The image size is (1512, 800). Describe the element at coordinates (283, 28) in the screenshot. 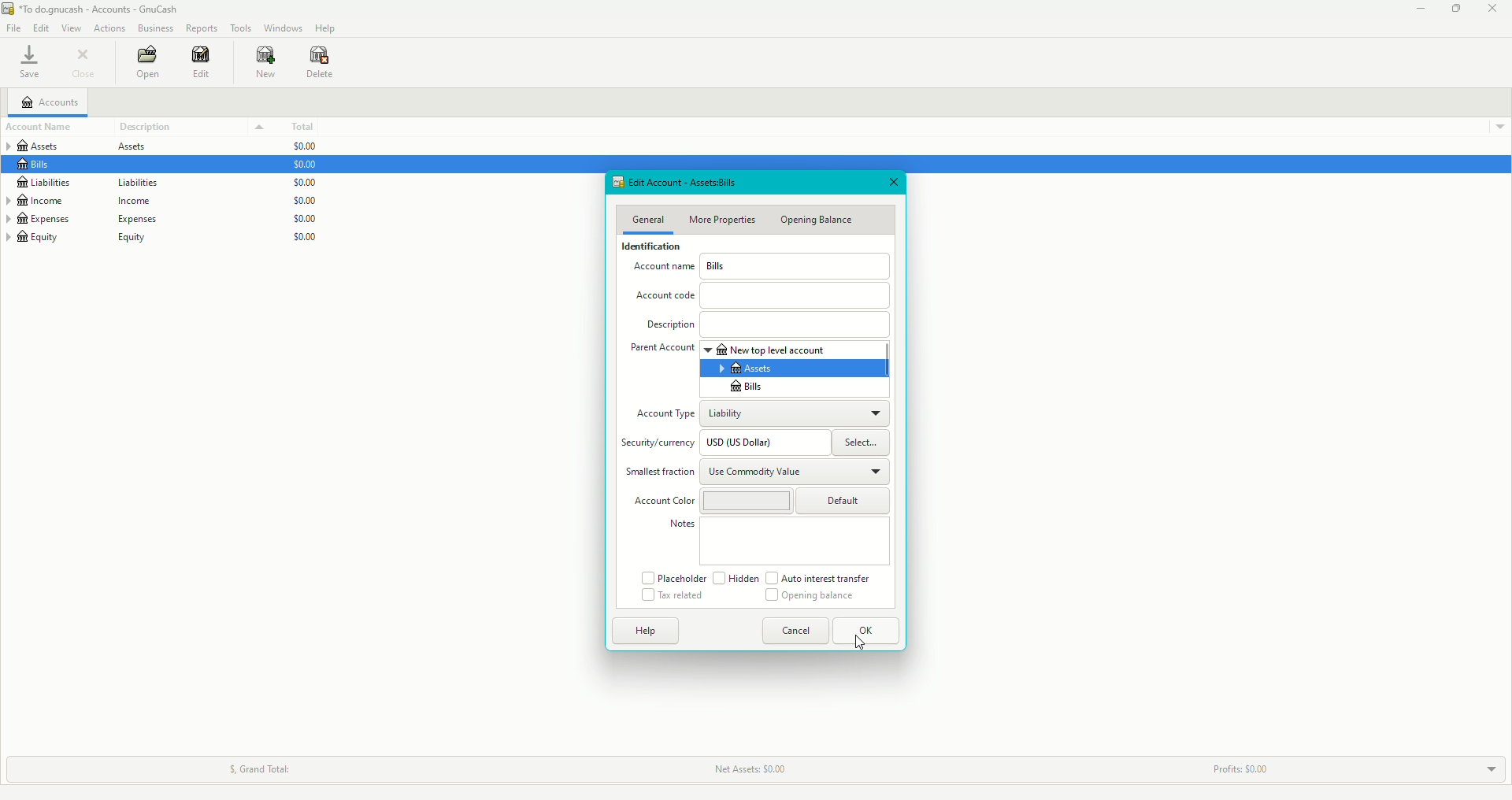

I see `Windows` at that location.